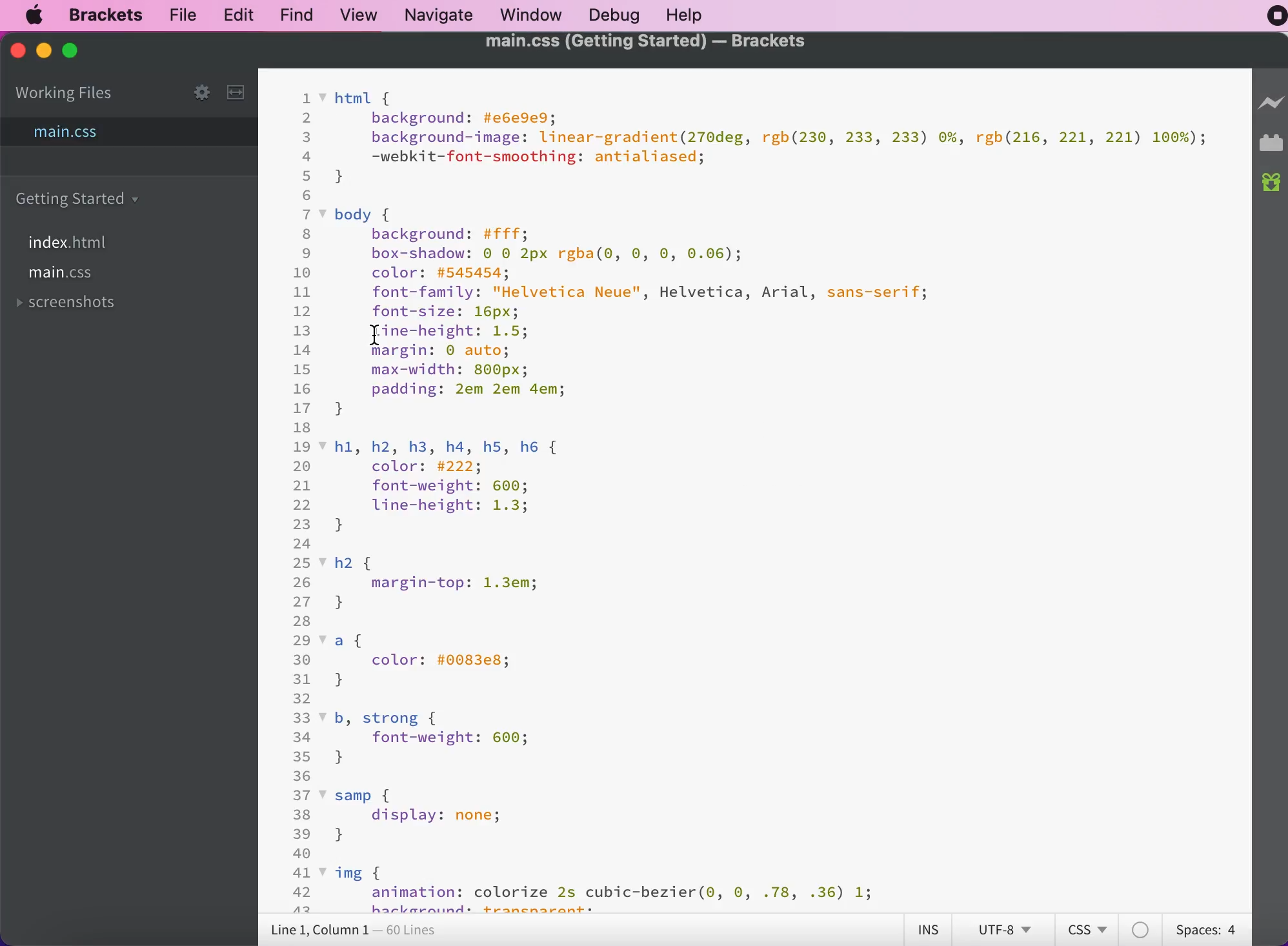  Describe the element at coordinates (301, 370) in the screenshot. I see `15` at that location.